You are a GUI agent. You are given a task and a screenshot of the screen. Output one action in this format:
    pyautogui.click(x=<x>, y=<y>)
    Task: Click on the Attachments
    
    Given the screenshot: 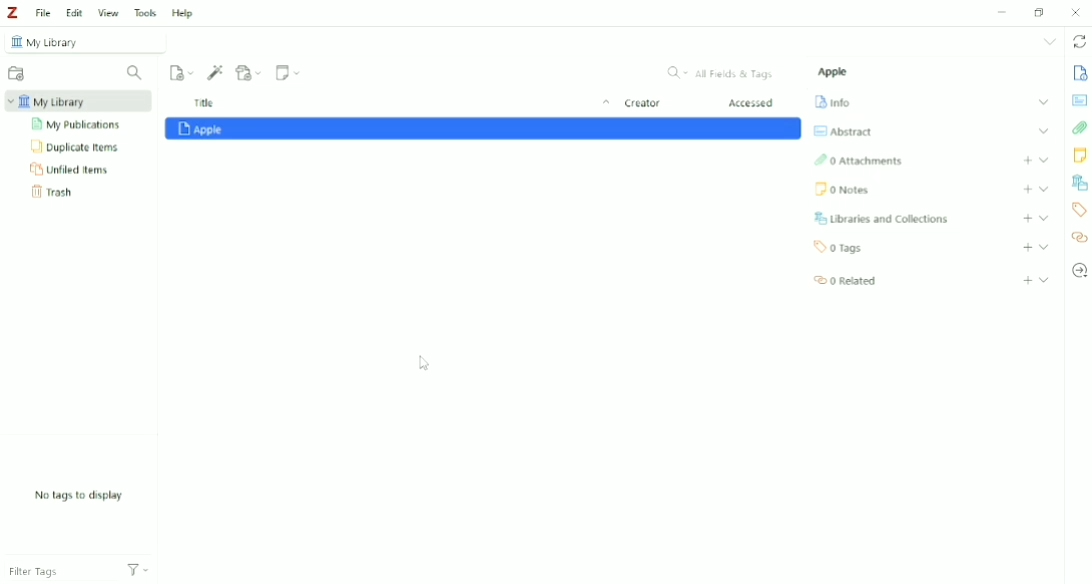 What is the action you would take?
    pyautogui.click(x=859, y=161)
    